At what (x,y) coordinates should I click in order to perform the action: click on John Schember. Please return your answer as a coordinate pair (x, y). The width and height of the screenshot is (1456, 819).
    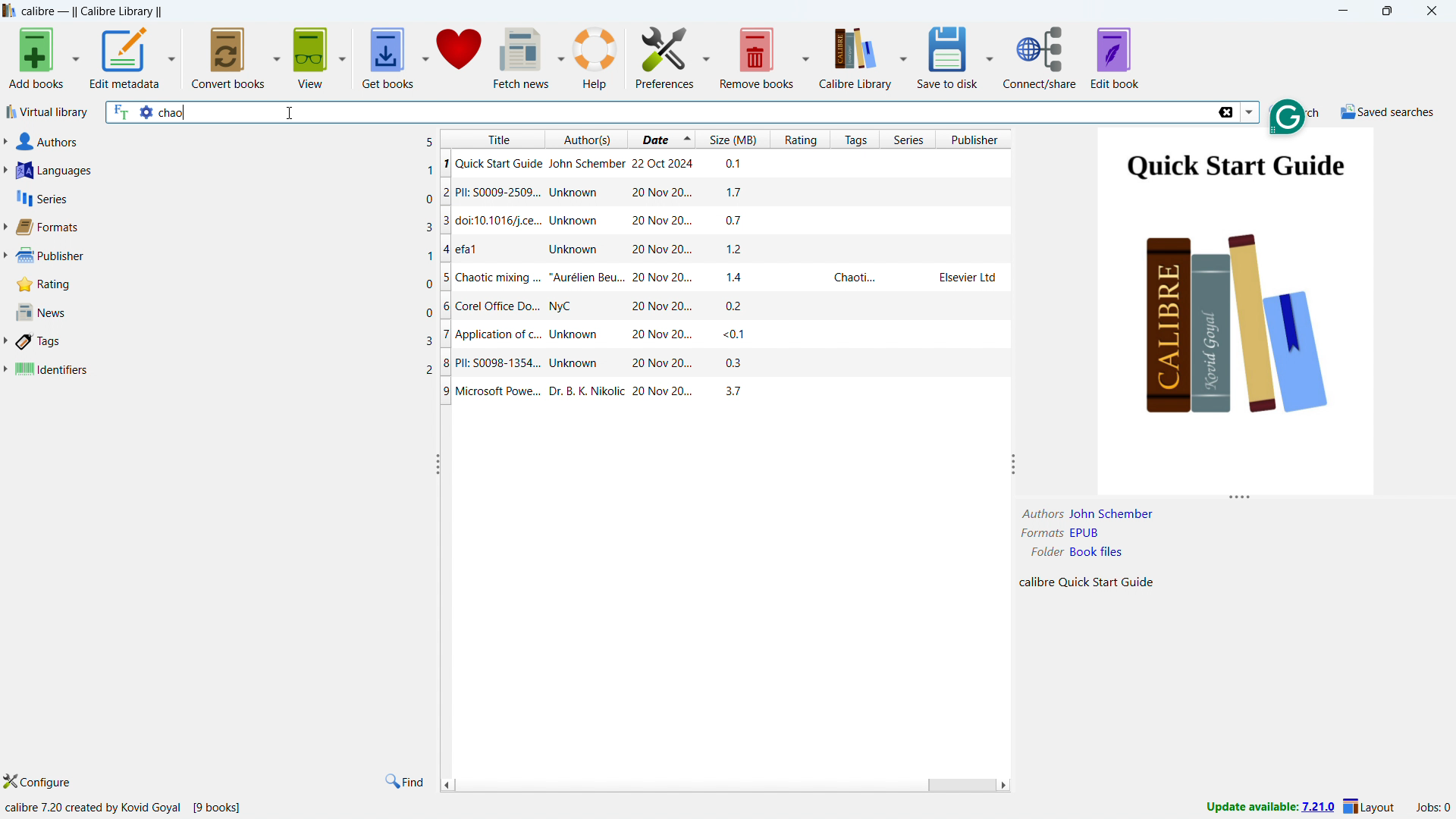
    Looking at the image, I should click on (1112, 513).